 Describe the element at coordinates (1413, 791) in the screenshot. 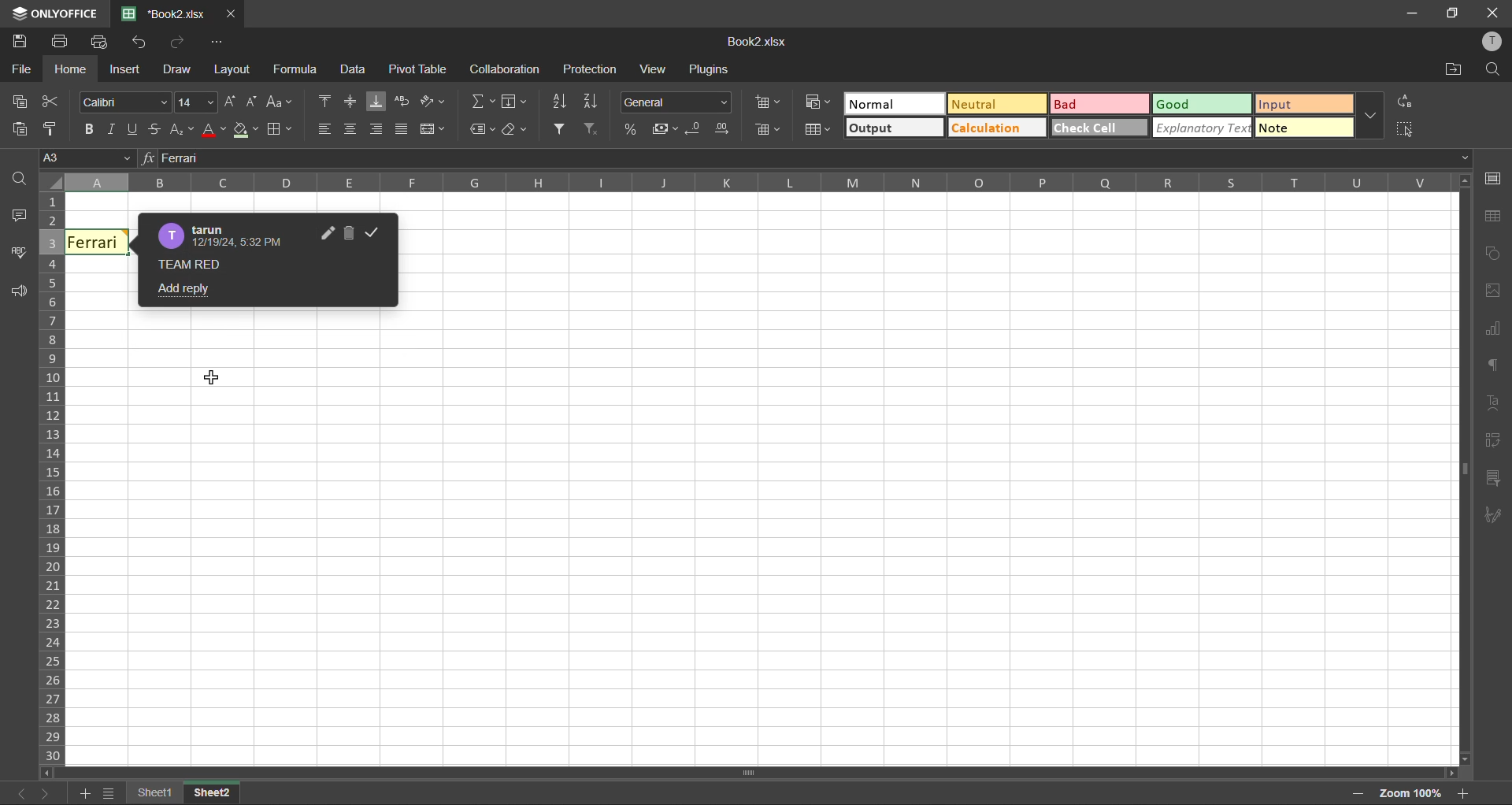

I see `zoom factor` at that location.